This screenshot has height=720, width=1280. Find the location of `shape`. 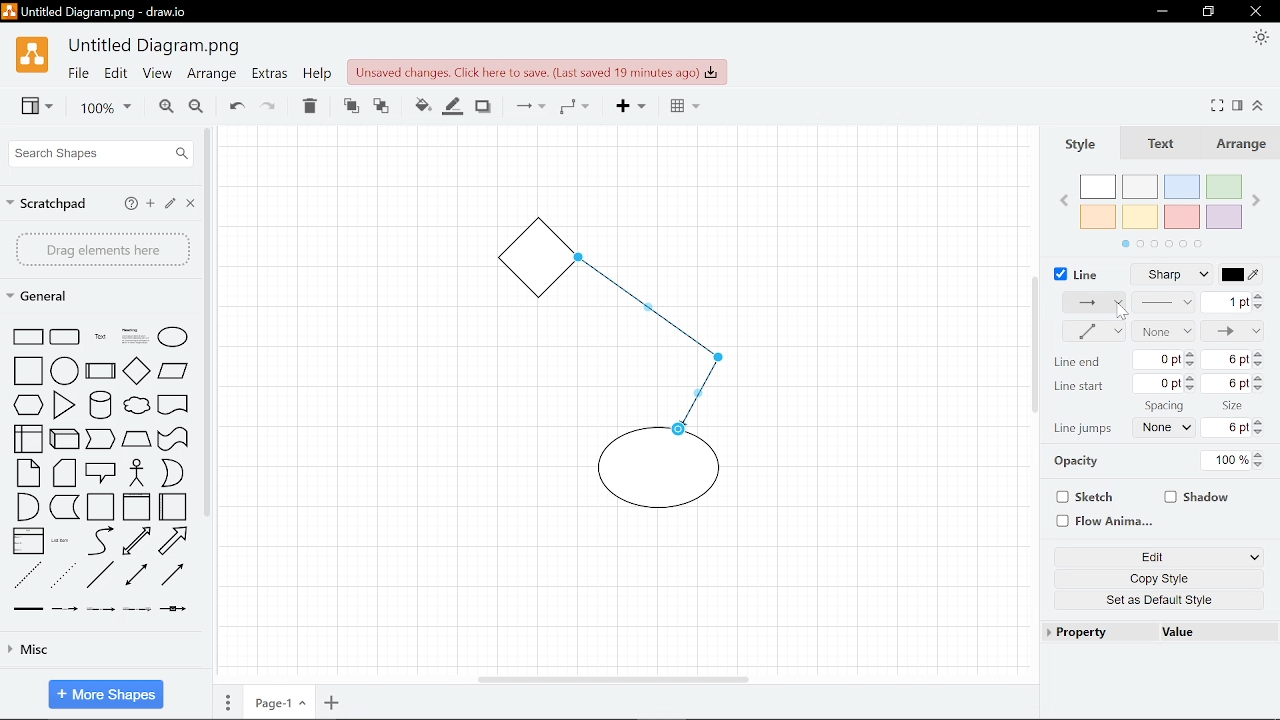

shape is located at coordinates (176, 613).